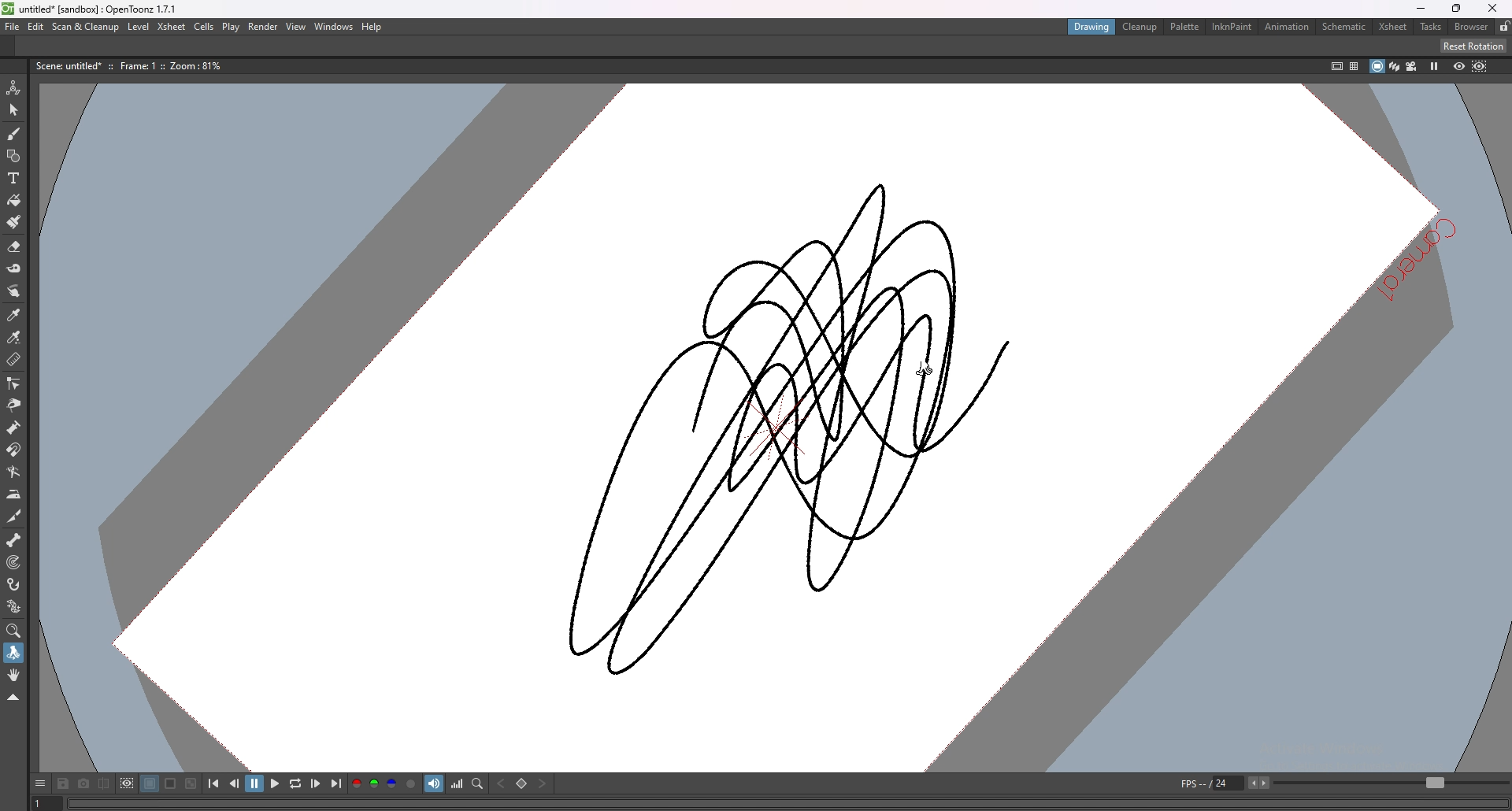 The height and width of the screenshot is (811, 1512). Describe the element at coordinates (1457, 8) in the screenshot. I see `resize` at that location.